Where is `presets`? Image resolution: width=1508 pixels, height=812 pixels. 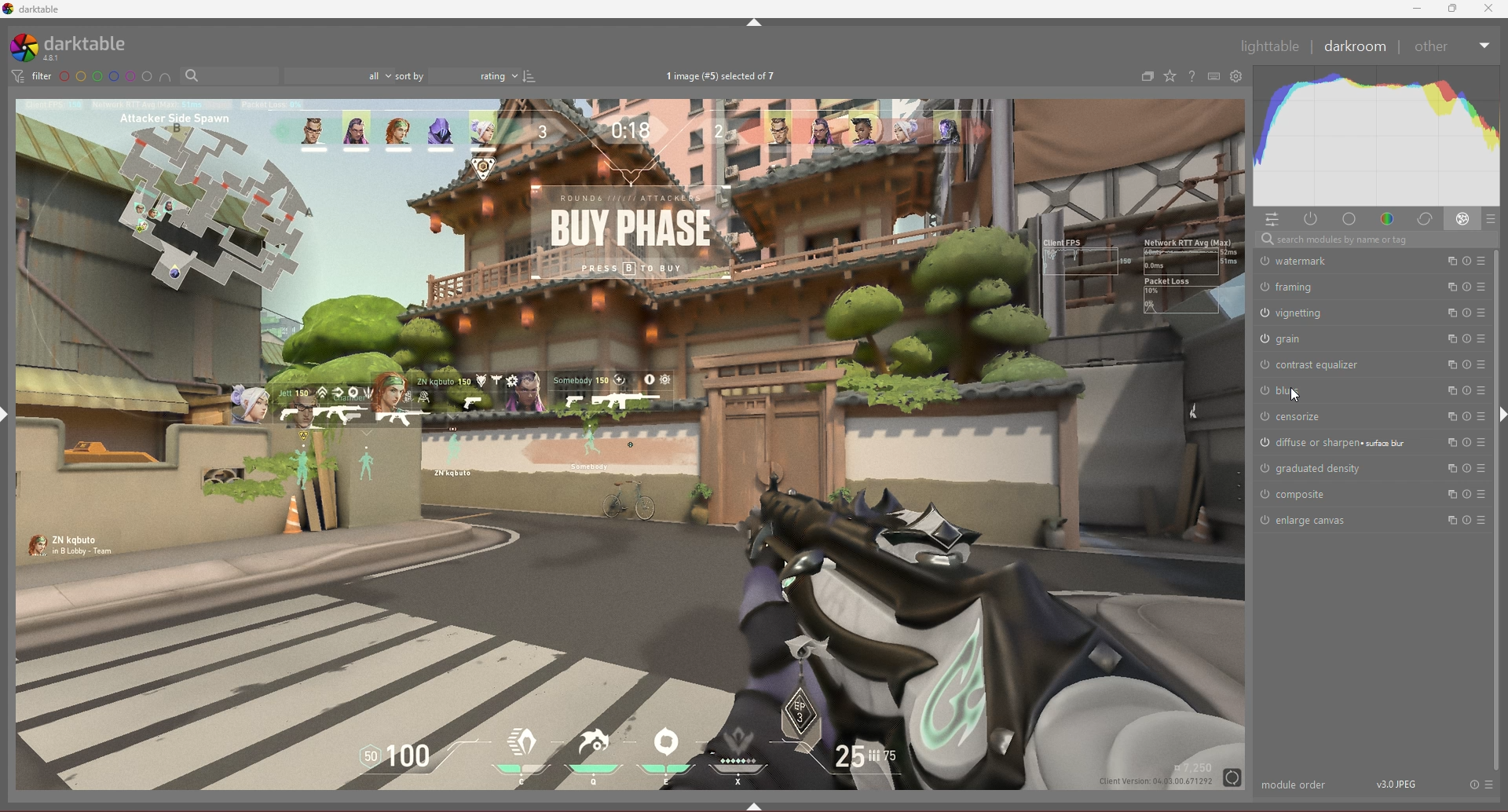 presets is located at coordinates (1481, 442).